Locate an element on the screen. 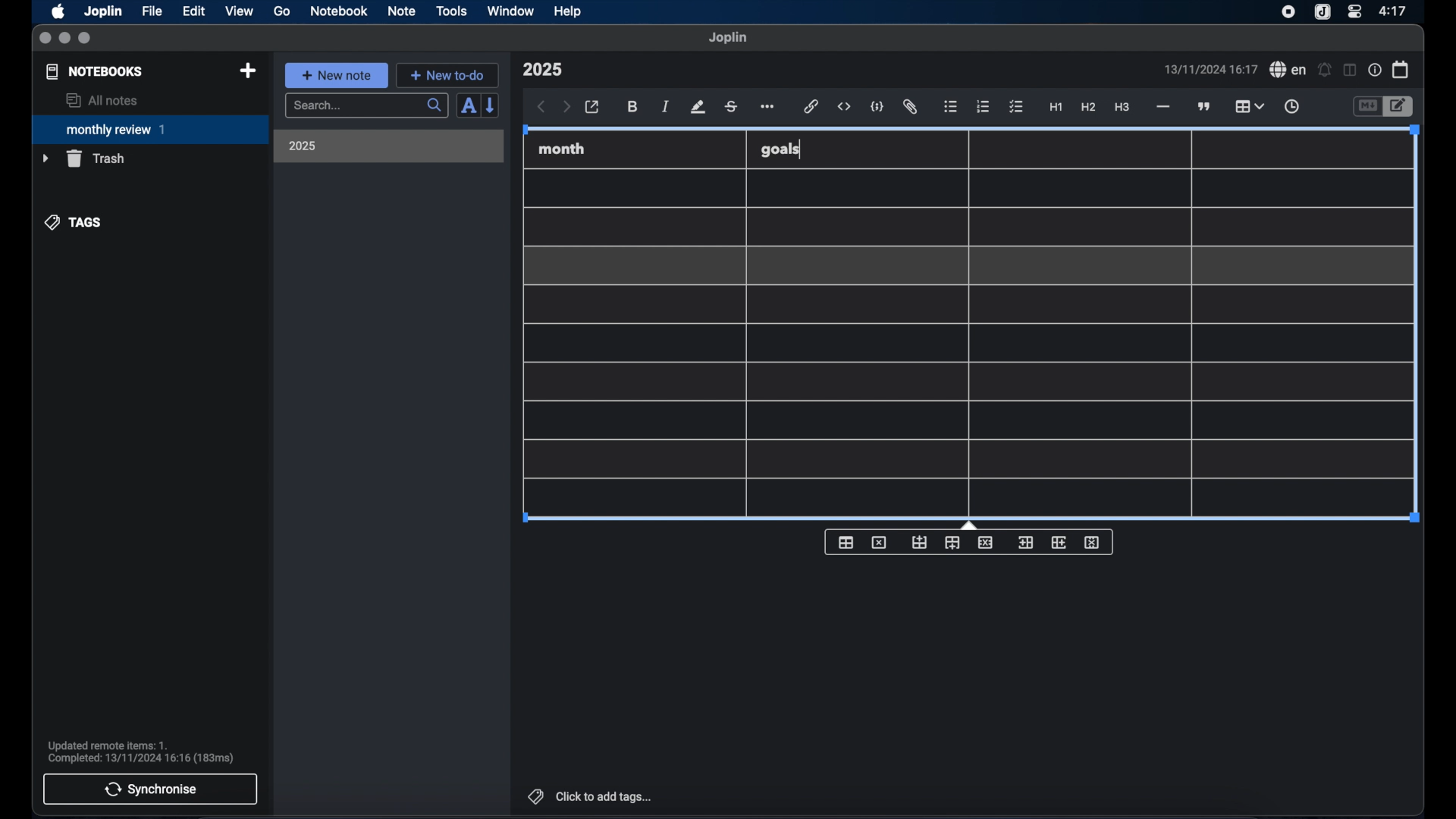 Image resolution: width=1456 pixels, height=819 pixels. insert row after is located at coordinates (952, 543).